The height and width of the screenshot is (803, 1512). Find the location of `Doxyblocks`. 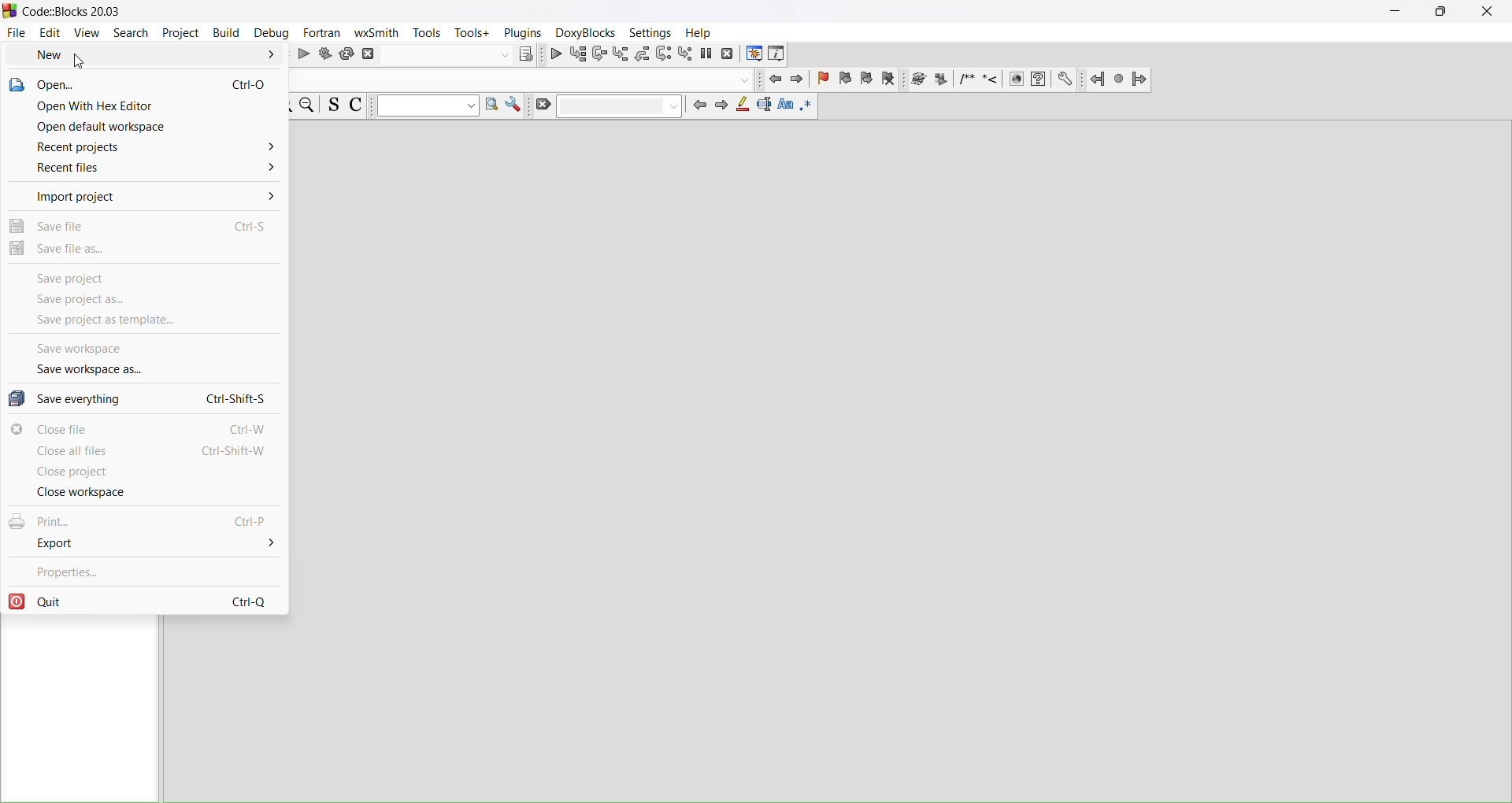

Doxyblocks is located at coordinates (586, 33).